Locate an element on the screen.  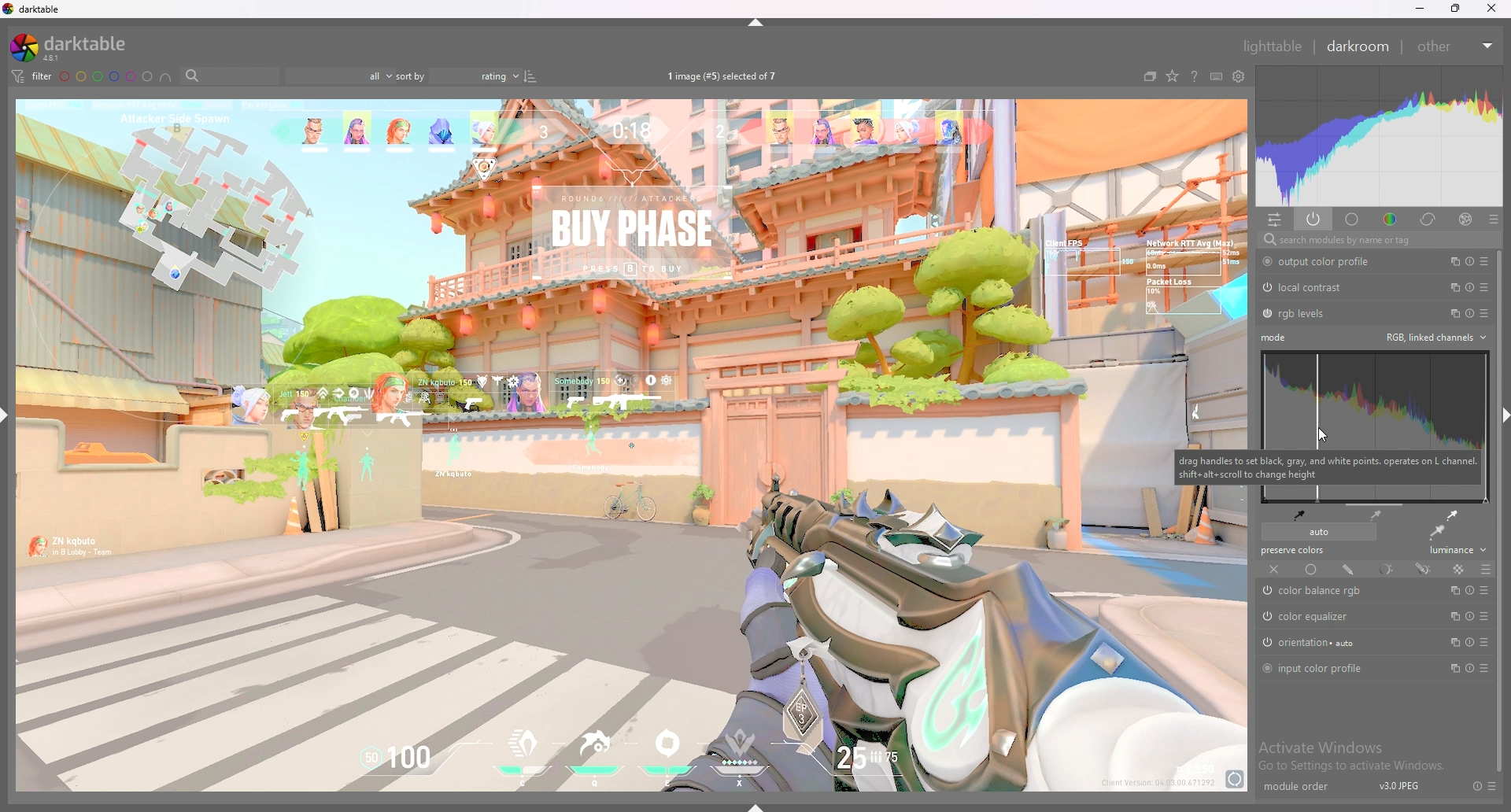
other is located at coordinates (1453, 46).